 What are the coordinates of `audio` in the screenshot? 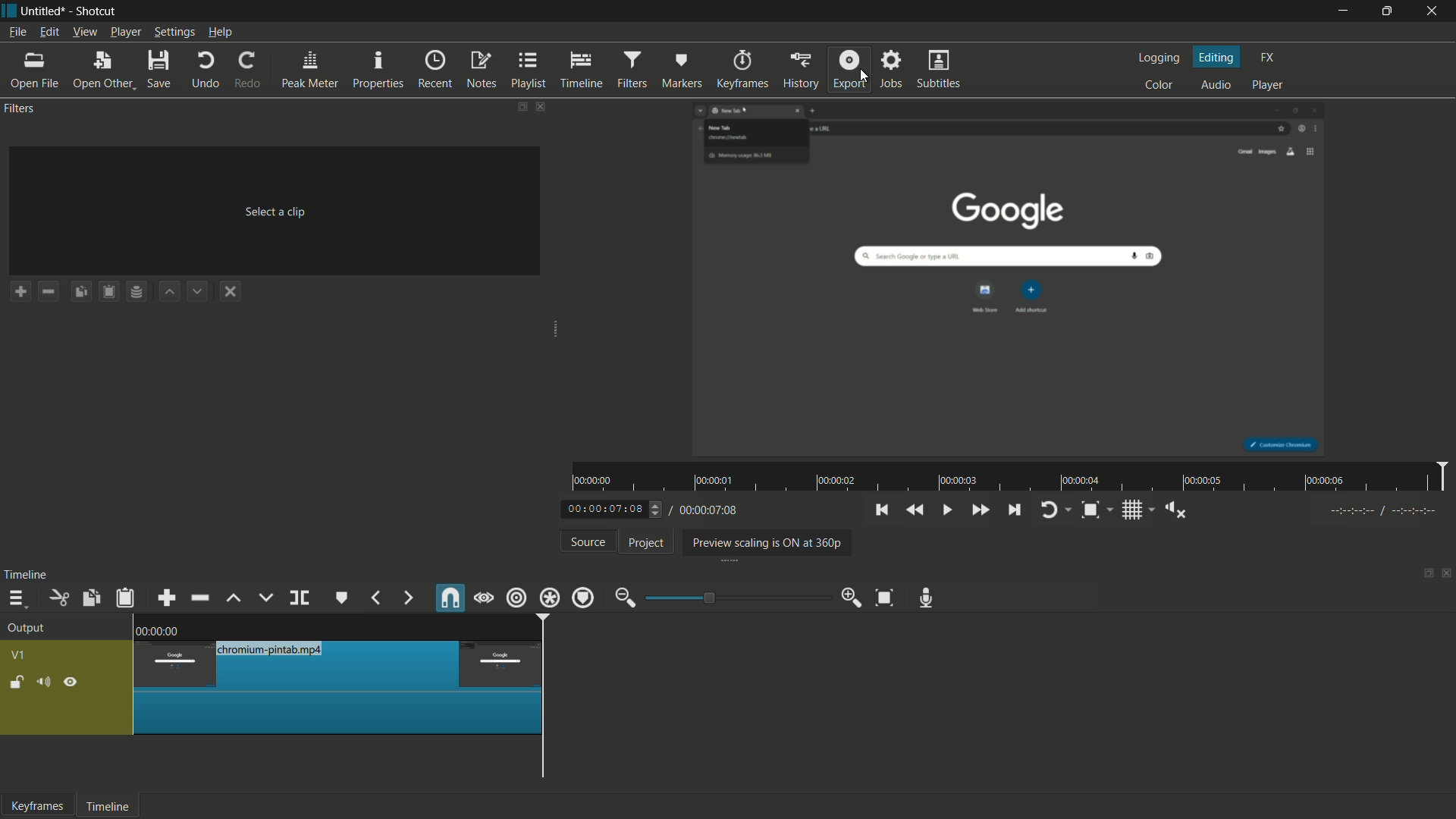 It's located at (1216, 86).